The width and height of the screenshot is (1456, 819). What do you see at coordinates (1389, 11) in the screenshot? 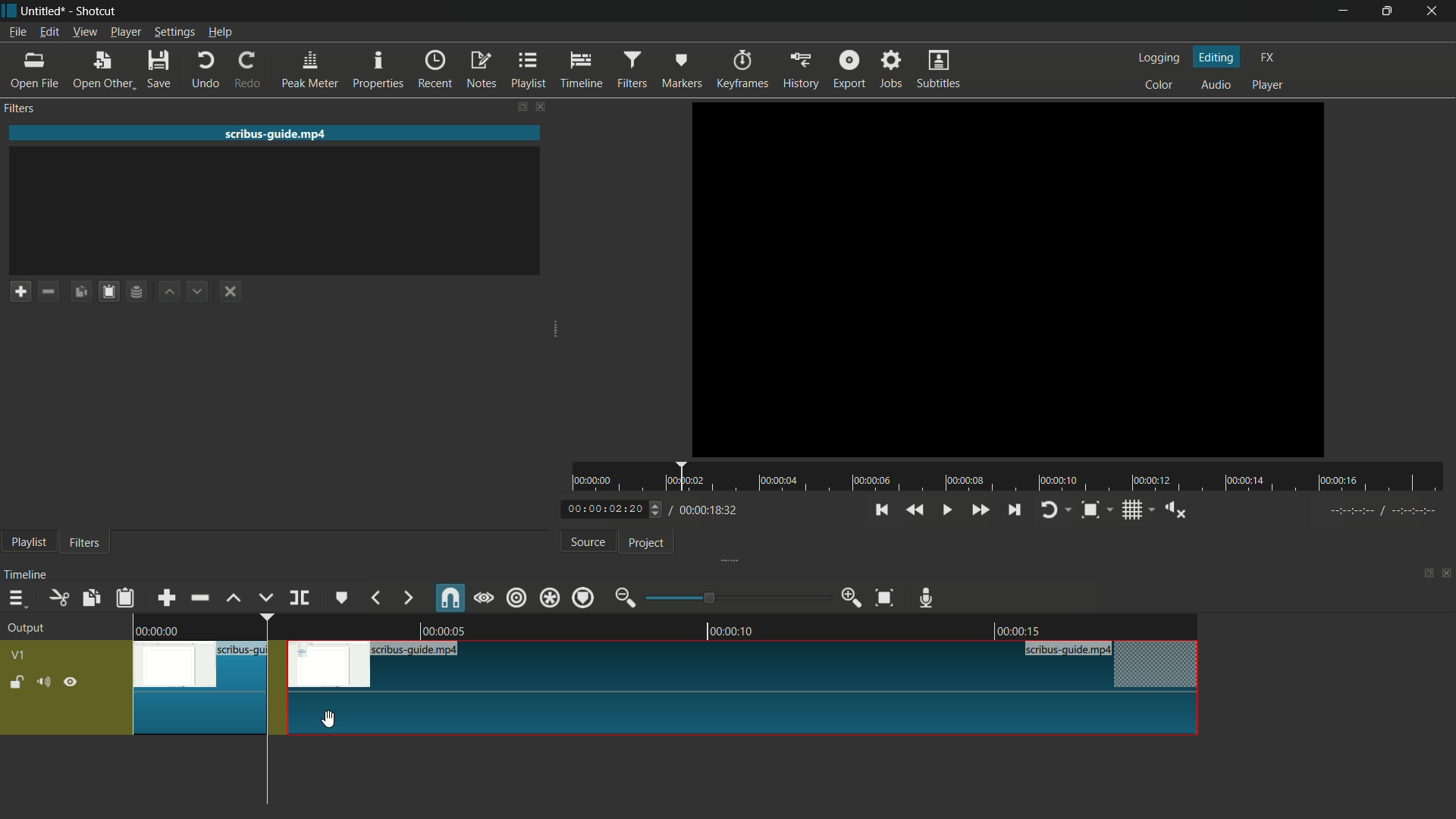
I see `maximize` at bounding box center [1389, 11].